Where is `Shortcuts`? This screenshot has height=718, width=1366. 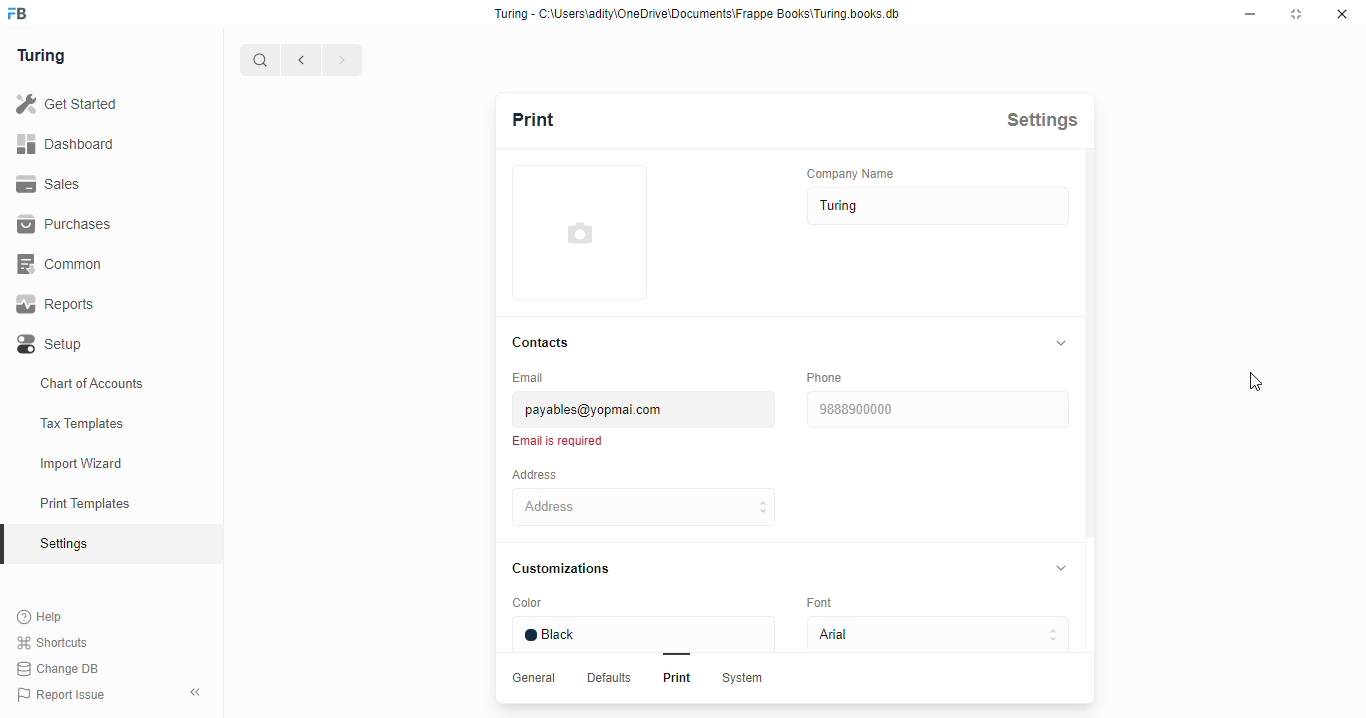
Shortcuts is located at coordinates (57, 642).